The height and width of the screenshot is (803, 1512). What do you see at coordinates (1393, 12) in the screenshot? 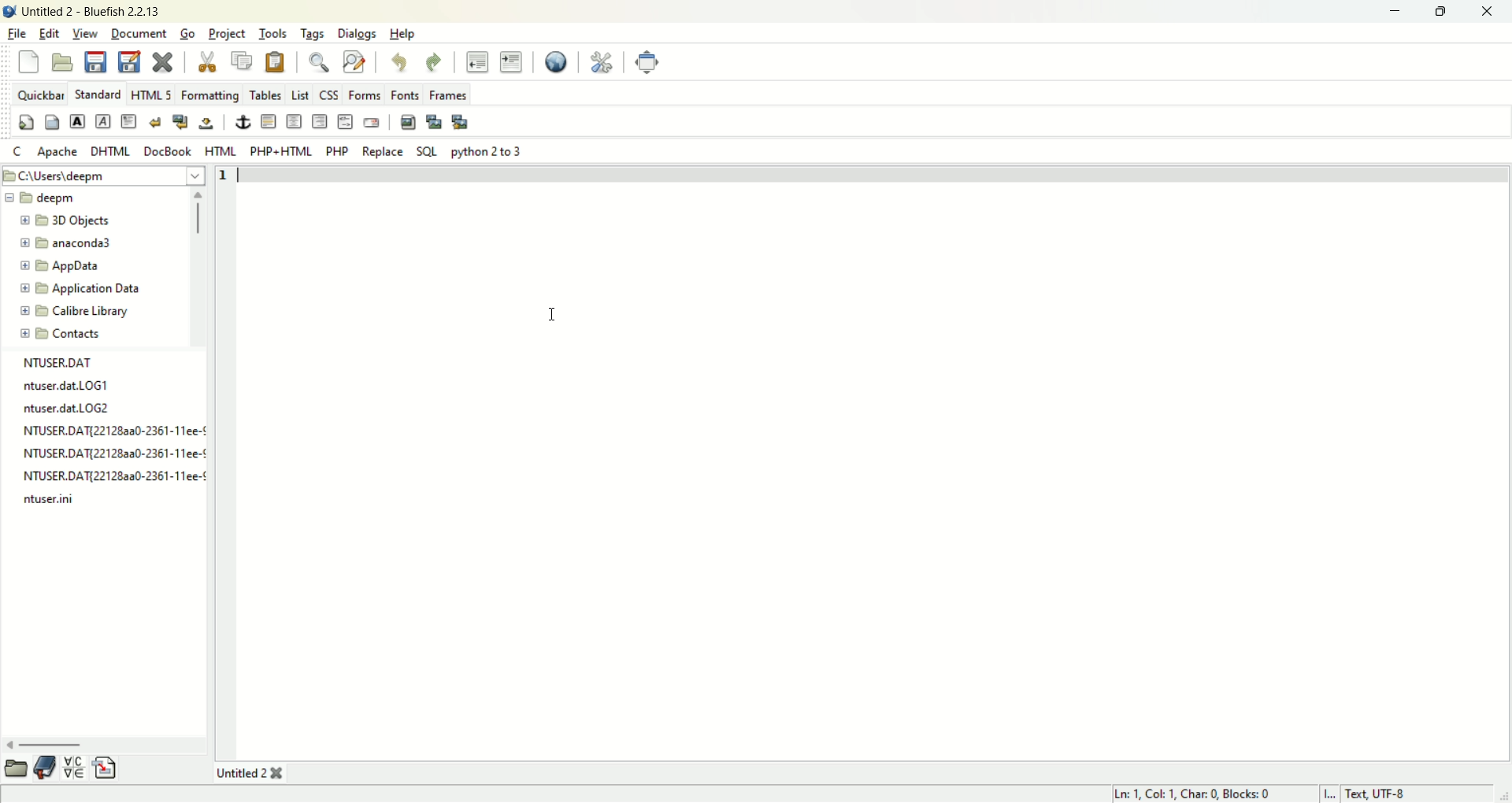
I see `minimize` at bounding box center [1393, 12].